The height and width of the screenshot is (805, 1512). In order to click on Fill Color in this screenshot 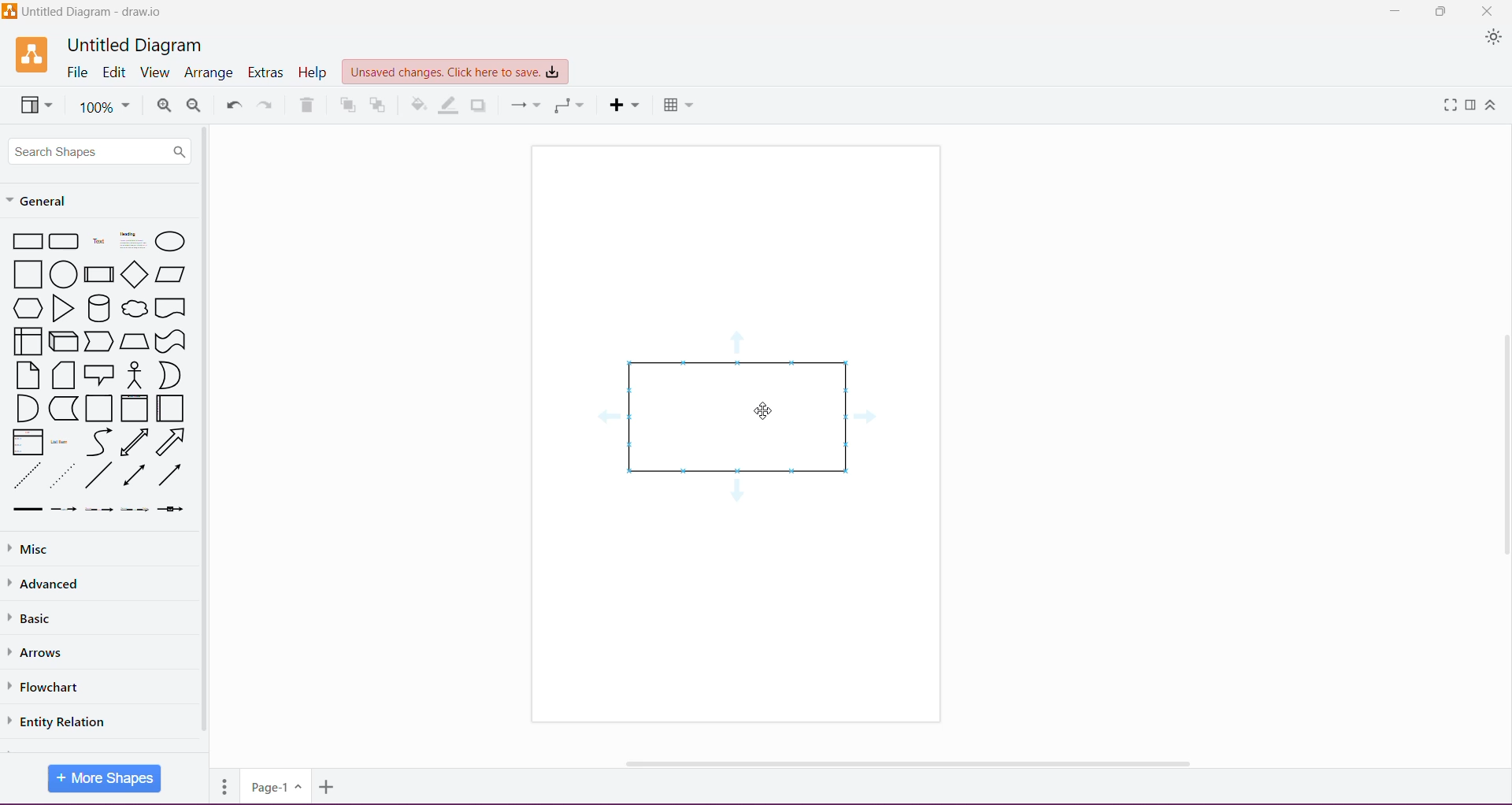, I will do `click(419, 106)`.